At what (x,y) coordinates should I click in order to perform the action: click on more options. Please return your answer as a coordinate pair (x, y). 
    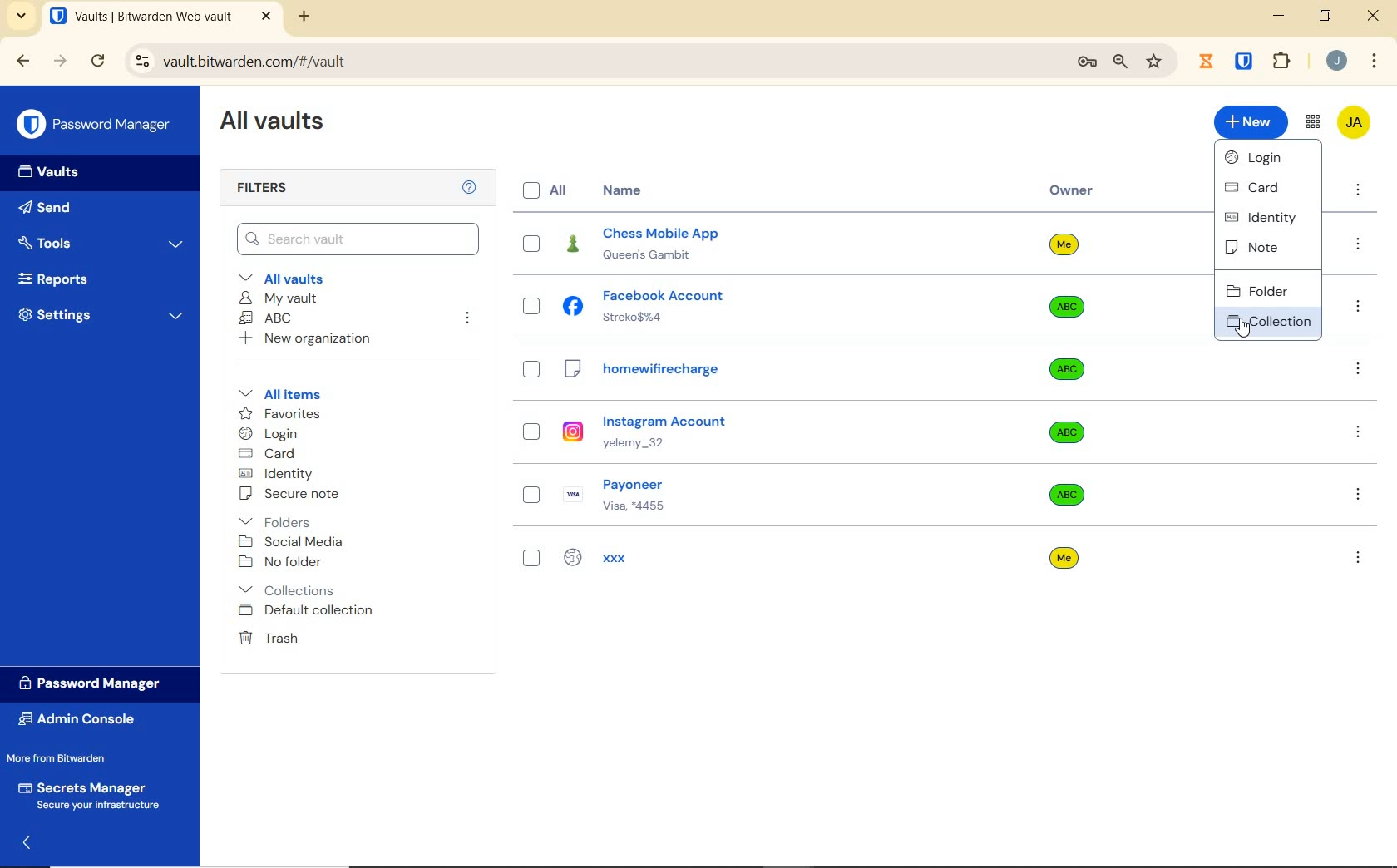
    Looking at the image, I should click on (1357, 192).